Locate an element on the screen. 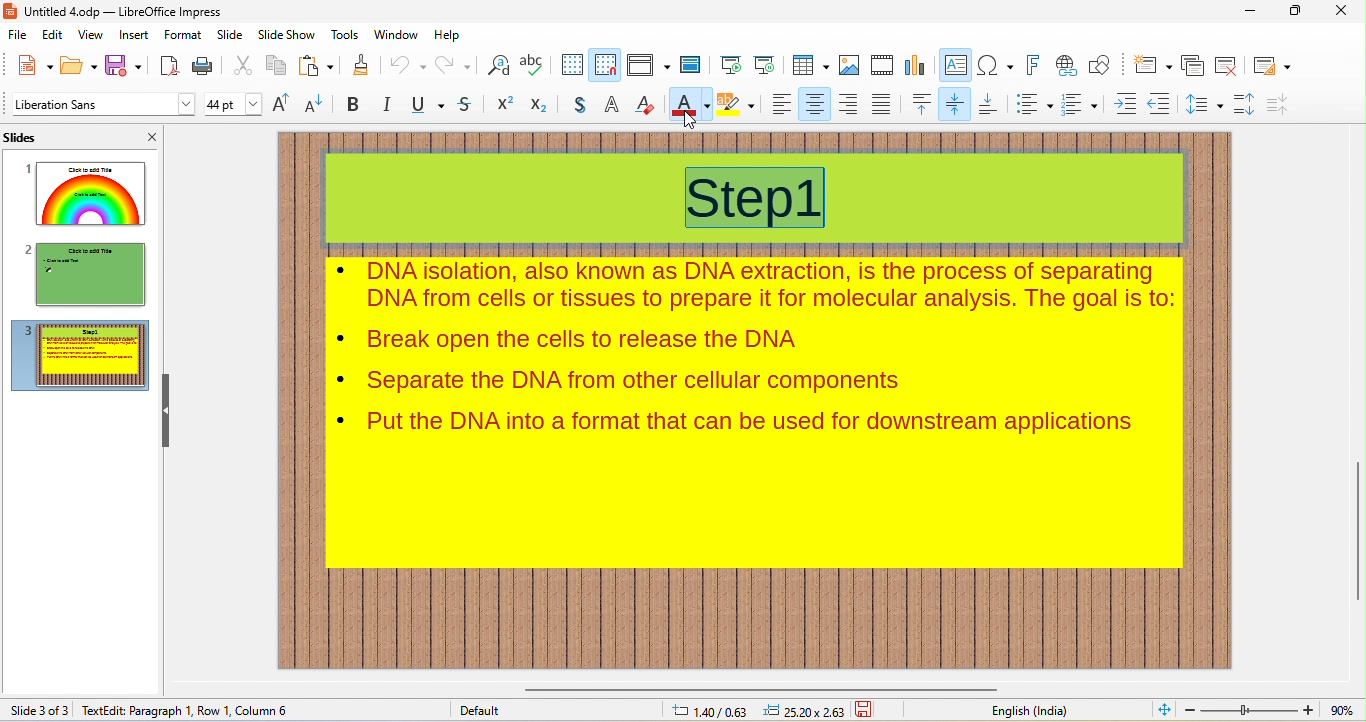 This screenshot has height=722, width=1366. align top is located at coordinates (920, 105).